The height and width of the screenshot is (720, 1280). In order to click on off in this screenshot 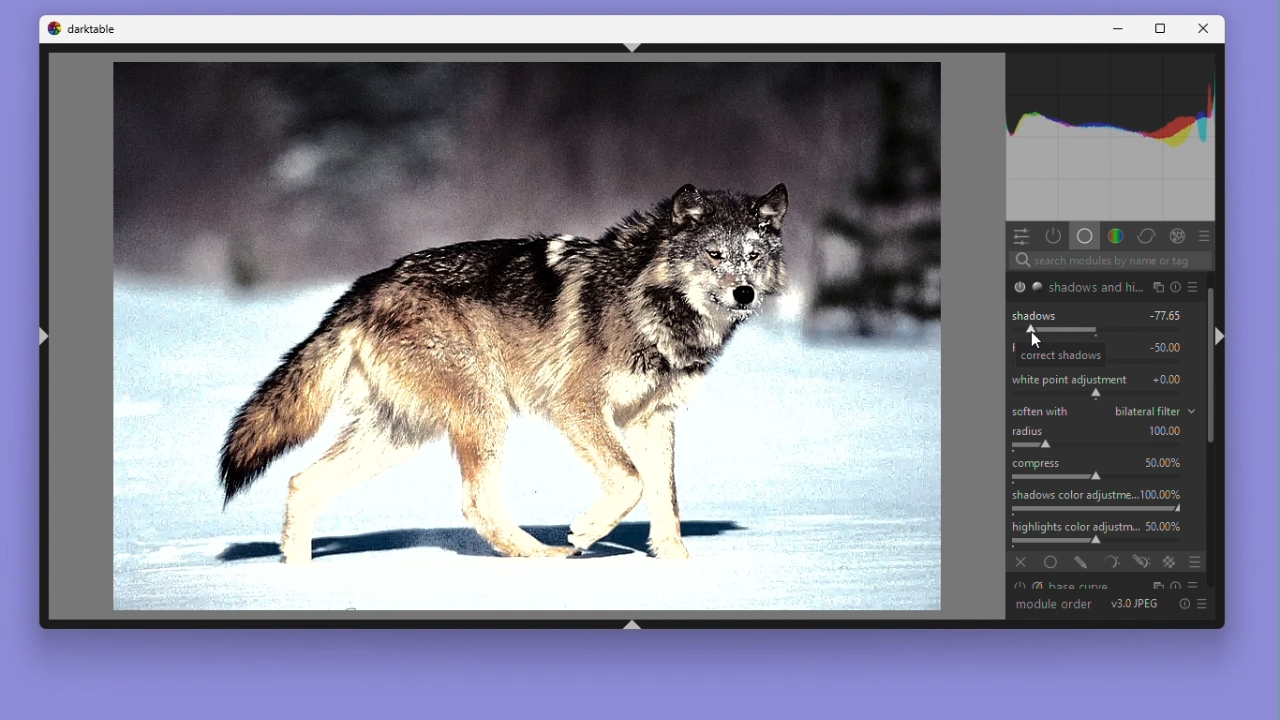, I will do `click(1020, 561)`.